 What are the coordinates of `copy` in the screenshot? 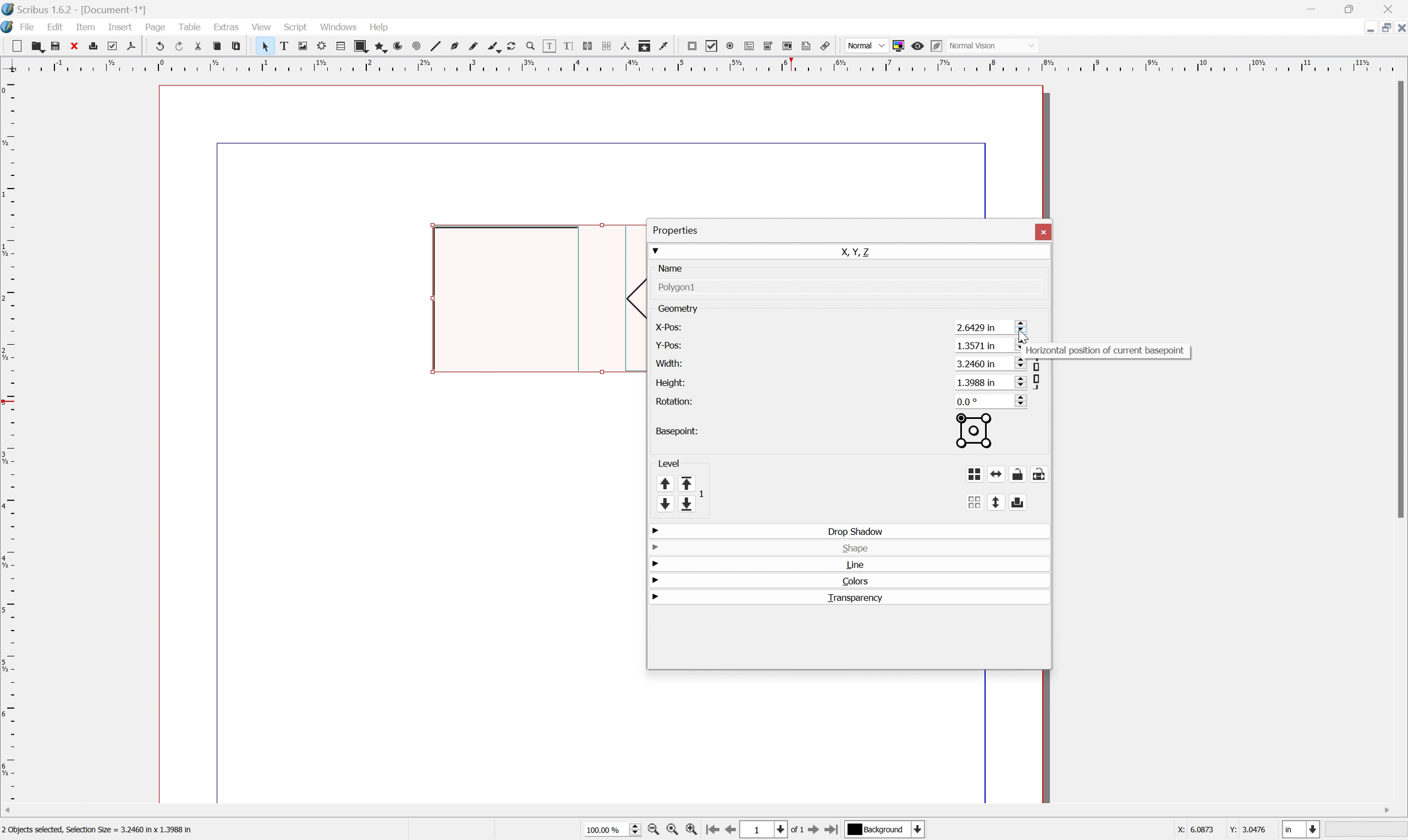 It's located at (216, 45).